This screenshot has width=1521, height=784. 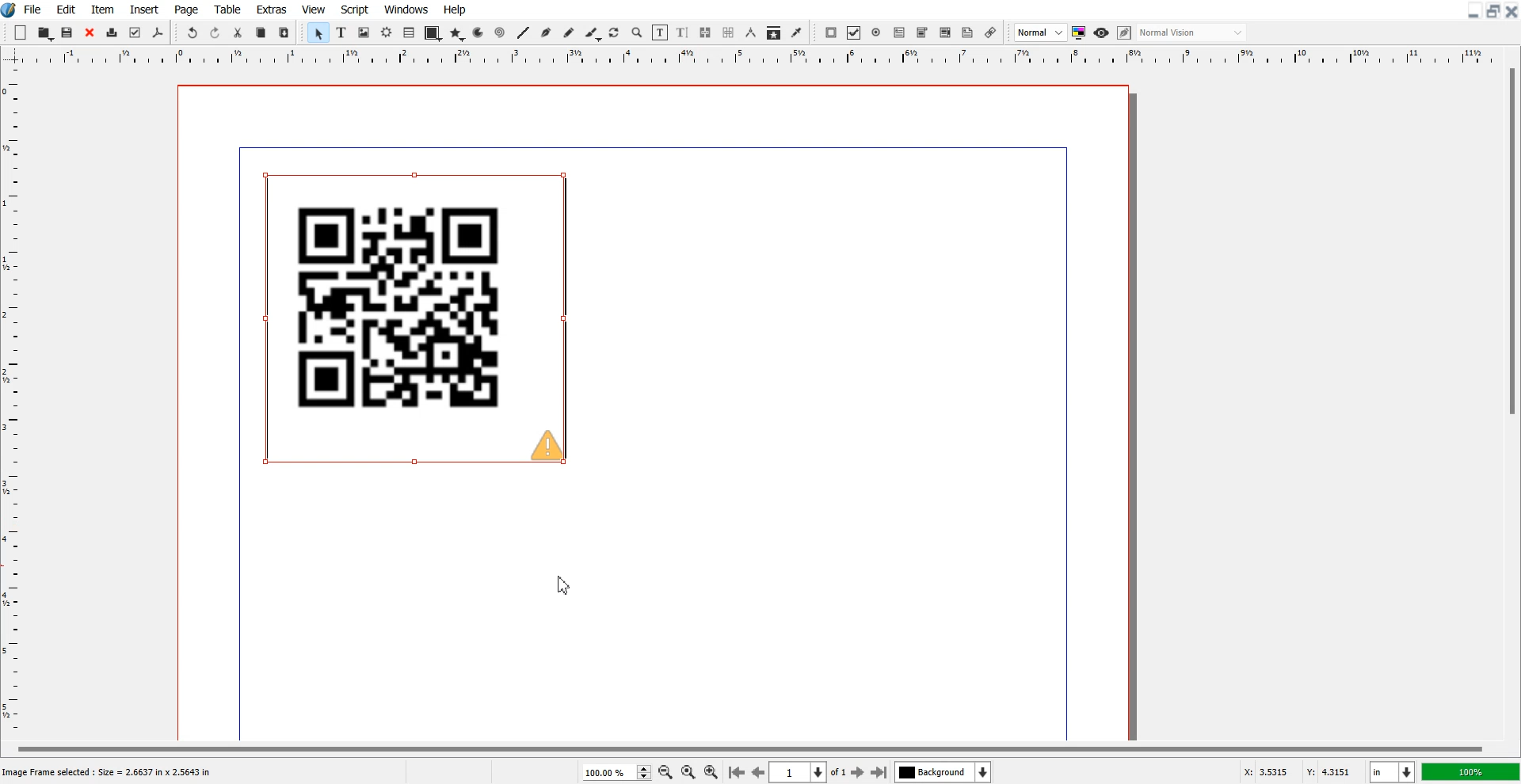 I want to click on Vertical Scale, so click(x=760, y=57).